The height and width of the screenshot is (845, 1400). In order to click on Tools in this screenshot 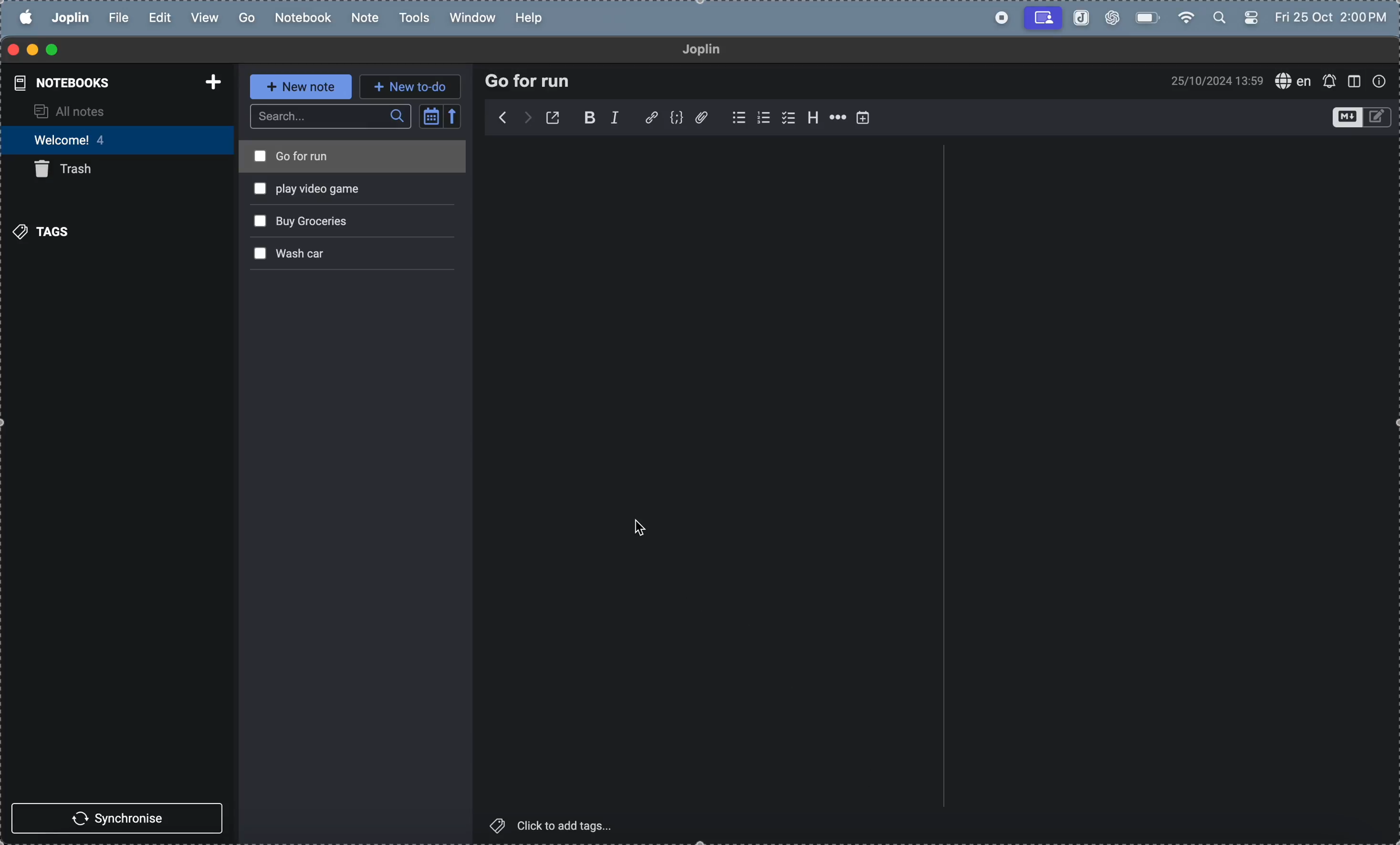, I will do `click(414, 17)`.